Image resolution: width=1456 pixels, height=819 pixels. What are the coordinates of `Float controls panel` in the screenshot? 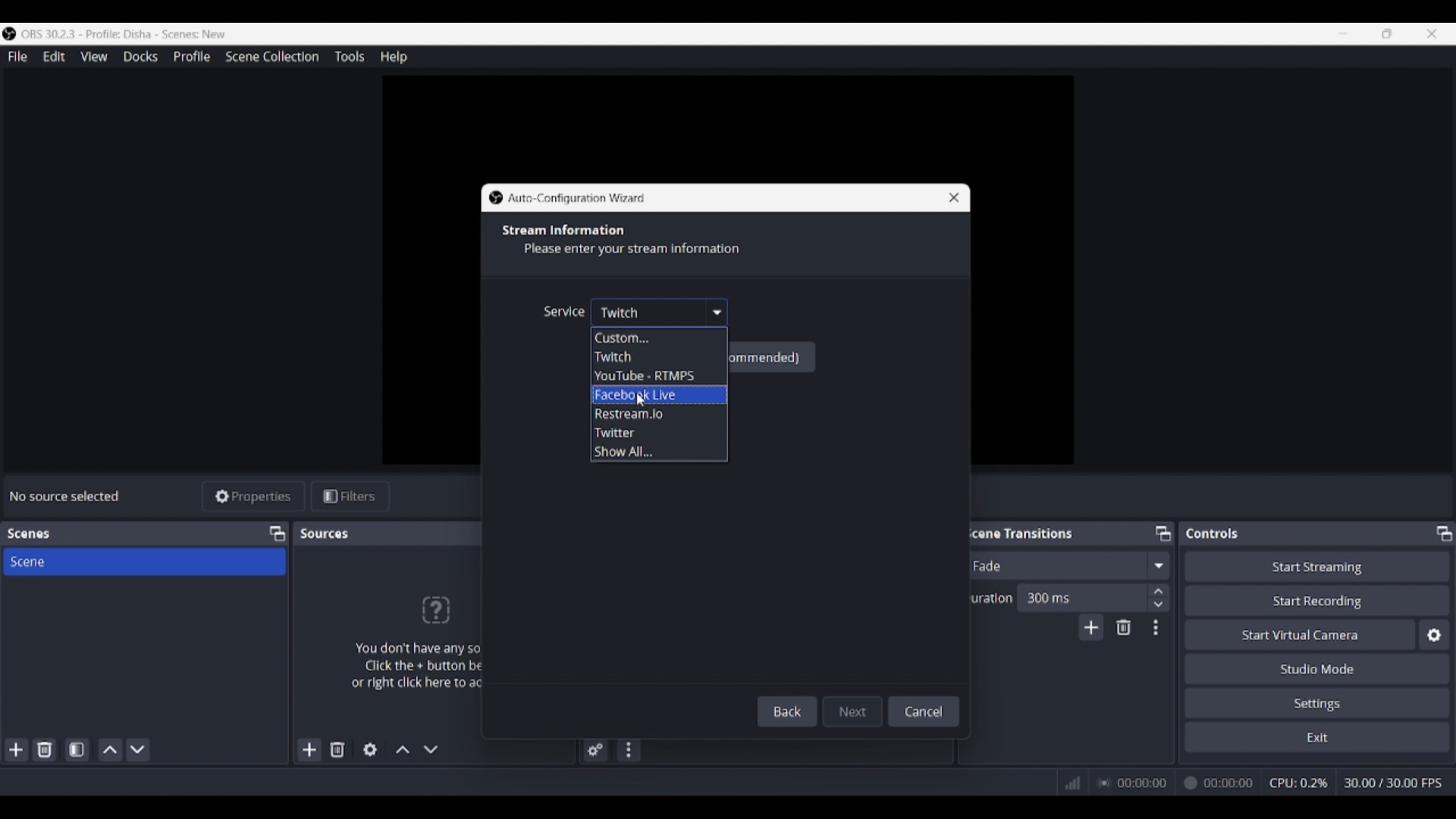 It's located at (1444, 533).